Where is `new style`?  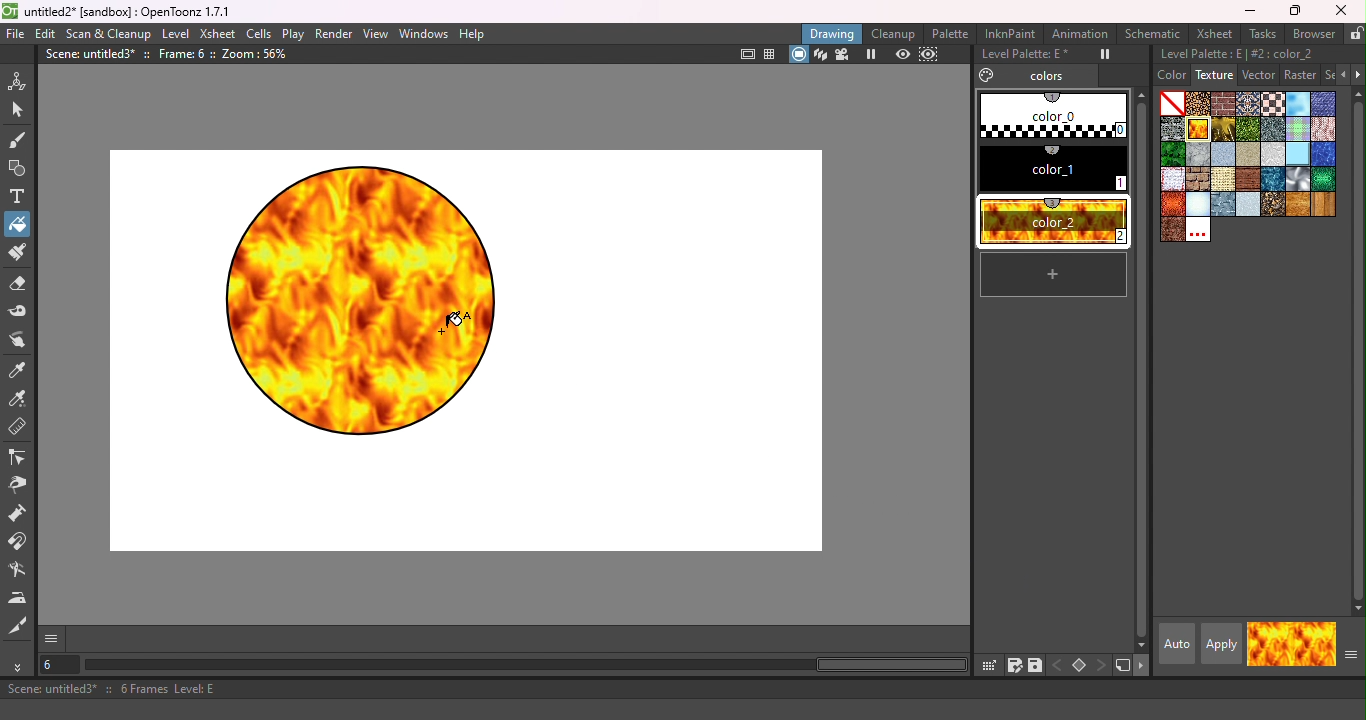 new style is located at coordinates (1122, 666).